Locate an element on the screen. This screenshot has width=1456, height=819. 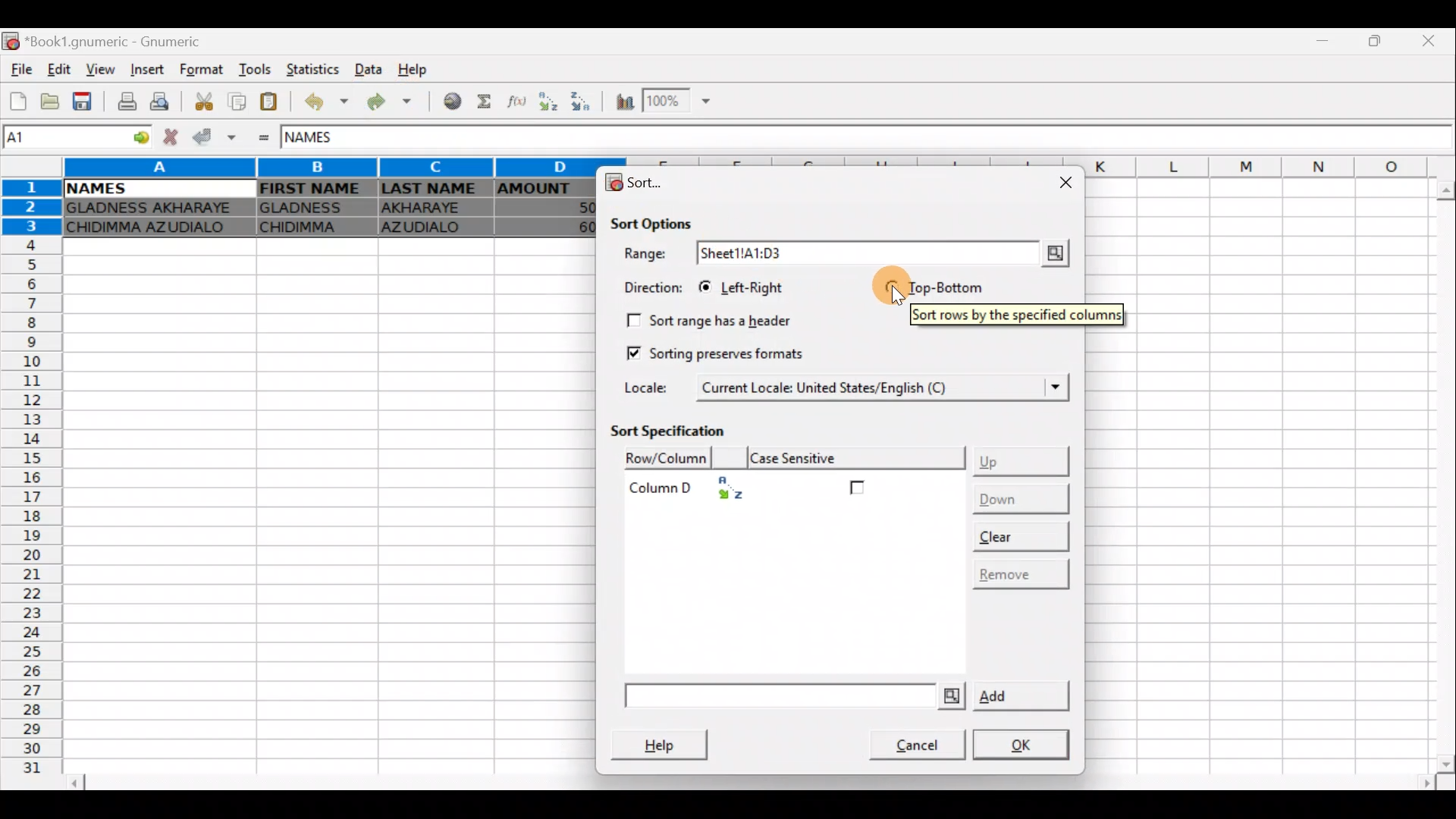
*Book1.gnumeric - Gnumeric is located at coordinates (122, 42).